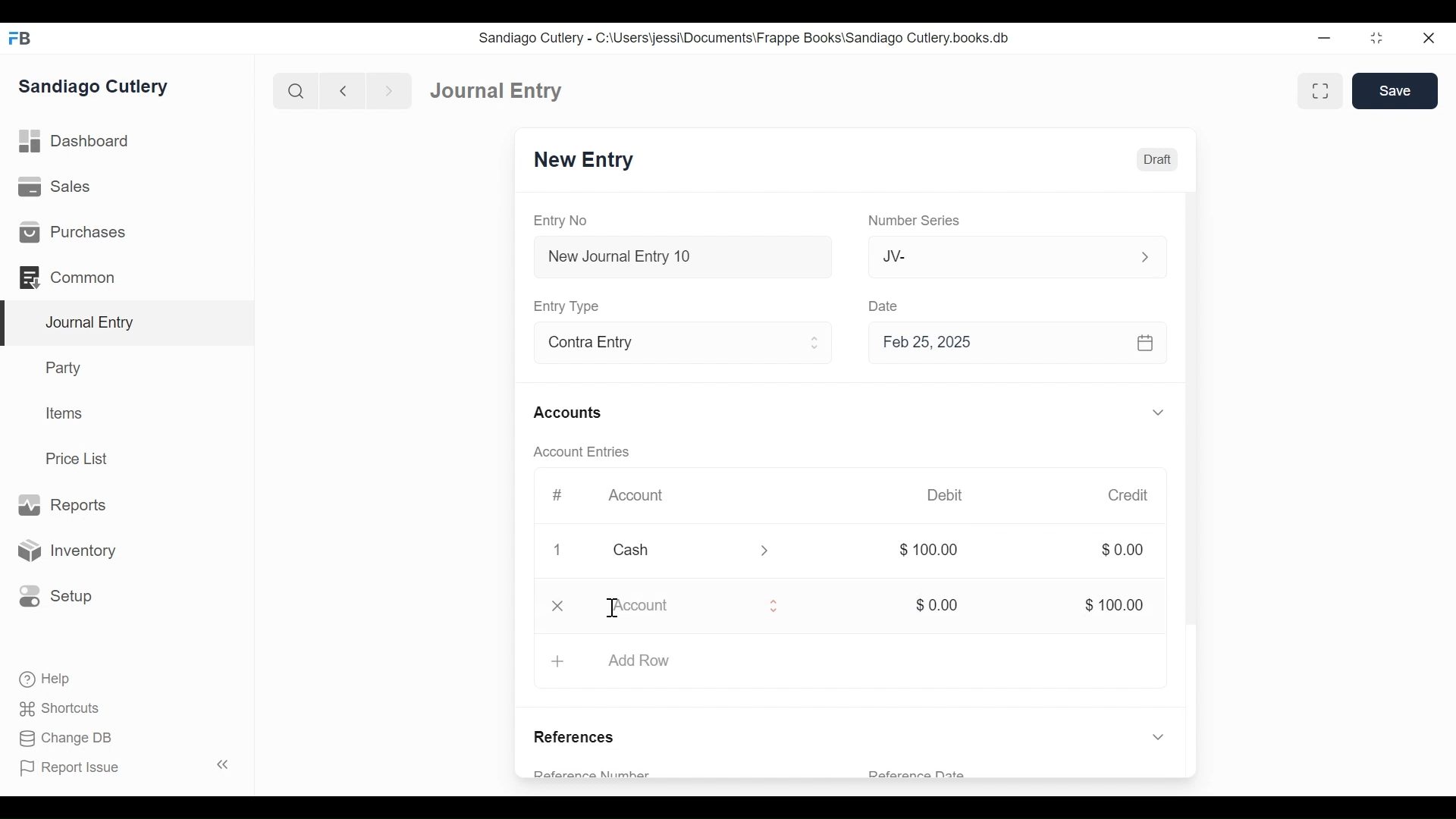 This screenshot has height=819, width=1456. What do you see at coordinates (560, 494) in the screenshot?
I see `#` at bounding box center [560, 494].